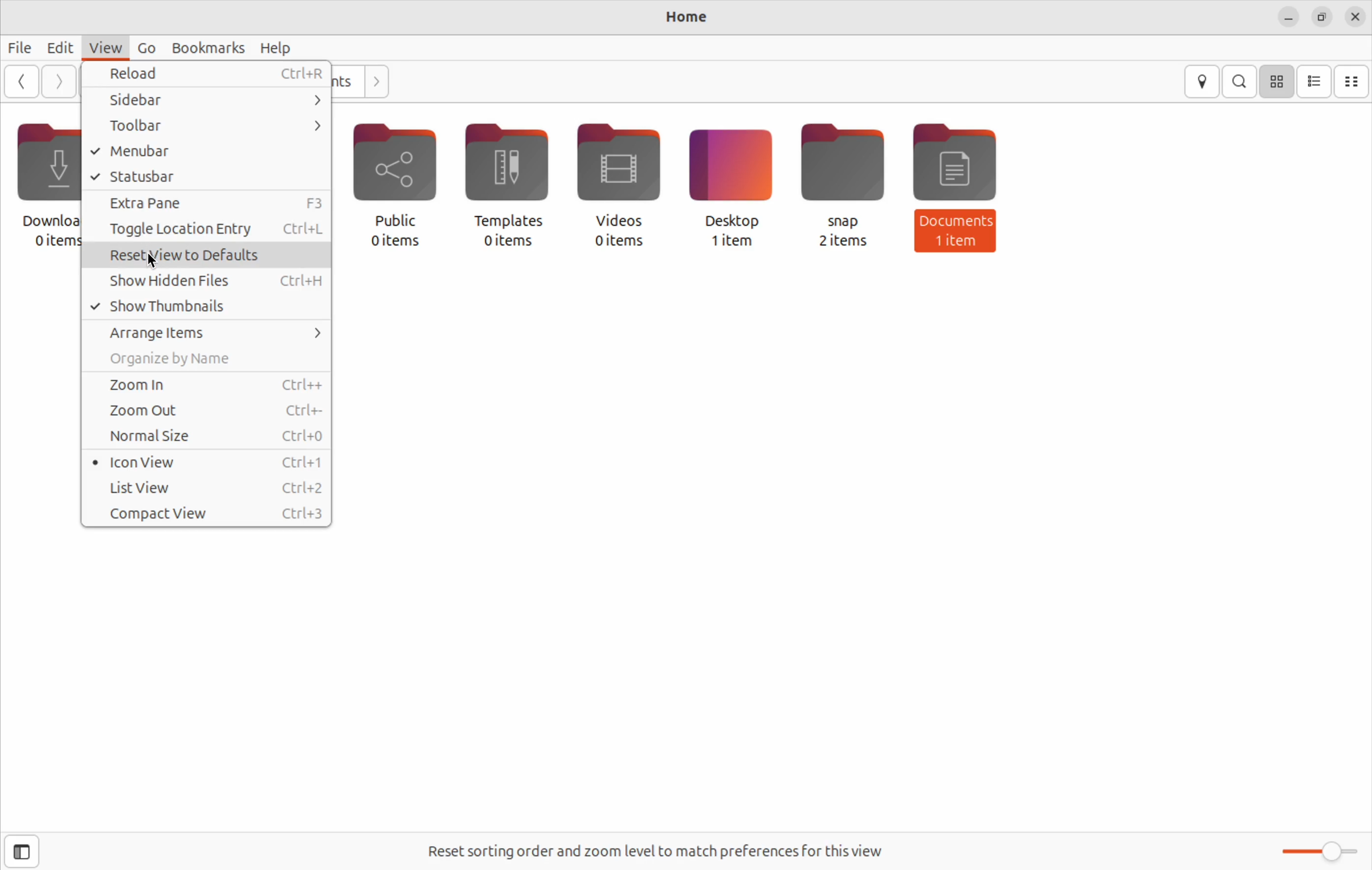 Image resolution: width=1372 pixels, height=870 pixels. I want to click on search, so click(1241, 81).